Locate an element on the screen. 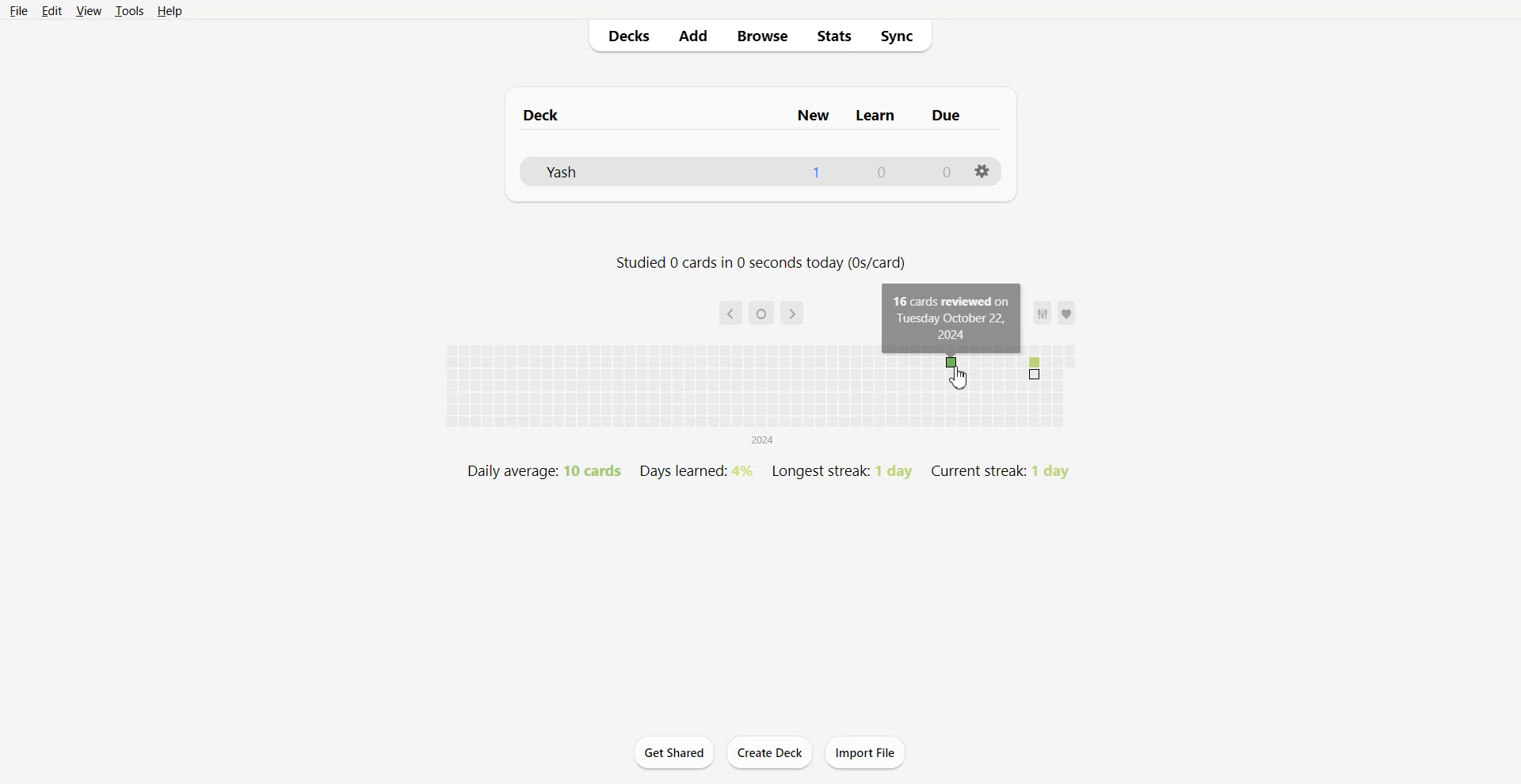  yearly overview is located at coordinates (758, 406).